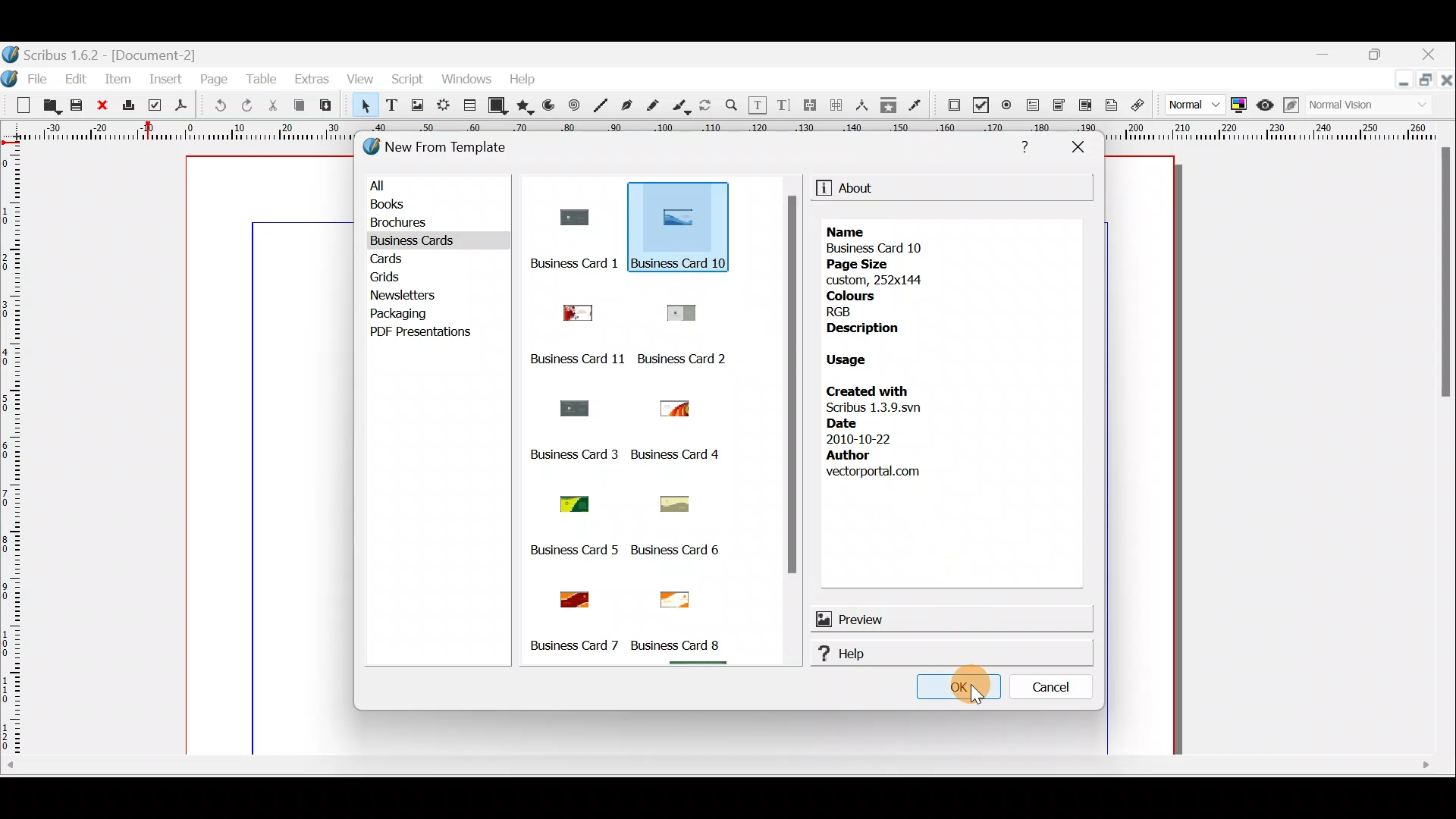 Image resolution: width=1456 pixels, height=819 pixels. What do you see at coordinates (49, 105) in the screenshot?
I see `Open` at bounding box center [49, 105].